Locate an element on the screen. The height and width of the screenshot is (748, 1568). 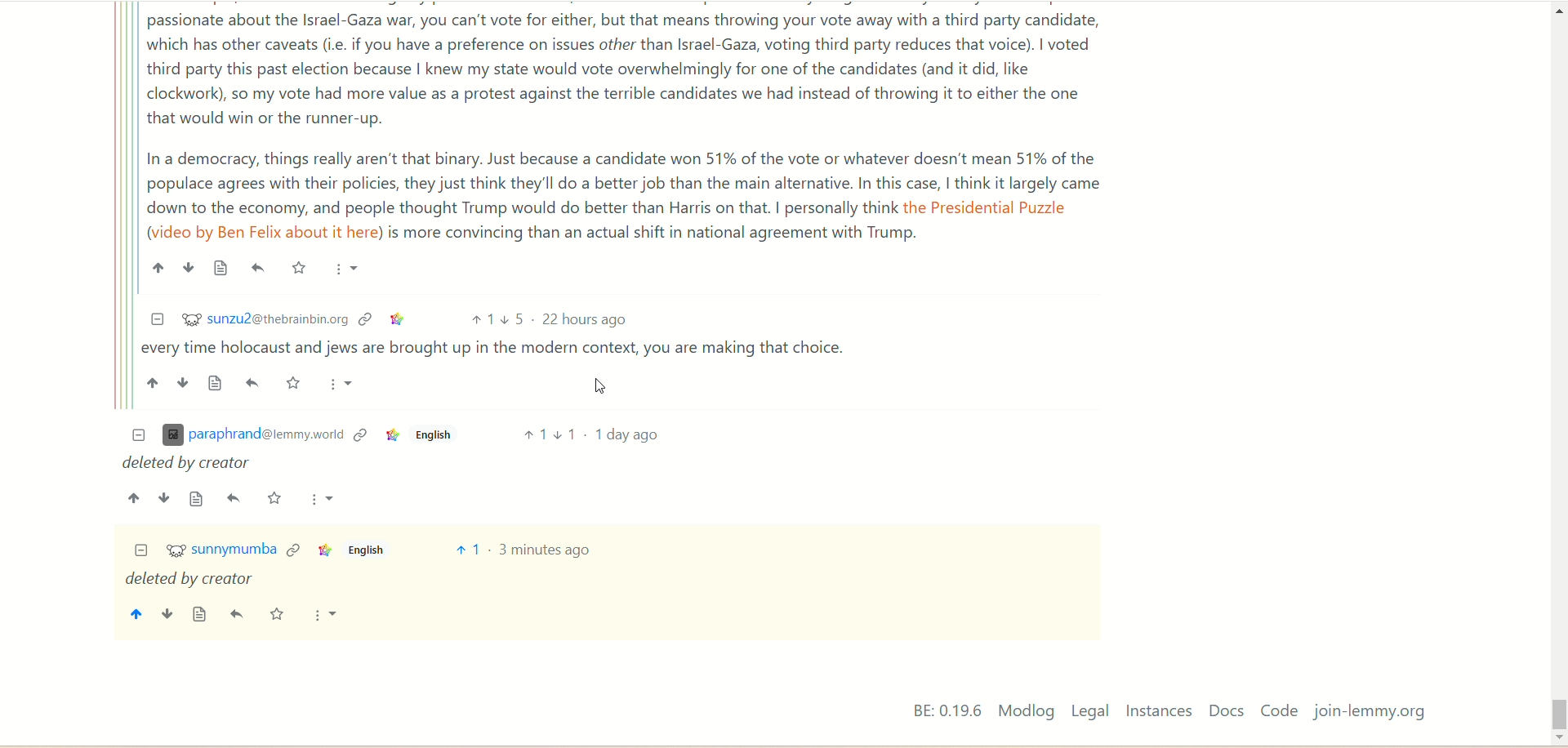
Upvote is located at coordinates (153, 383).